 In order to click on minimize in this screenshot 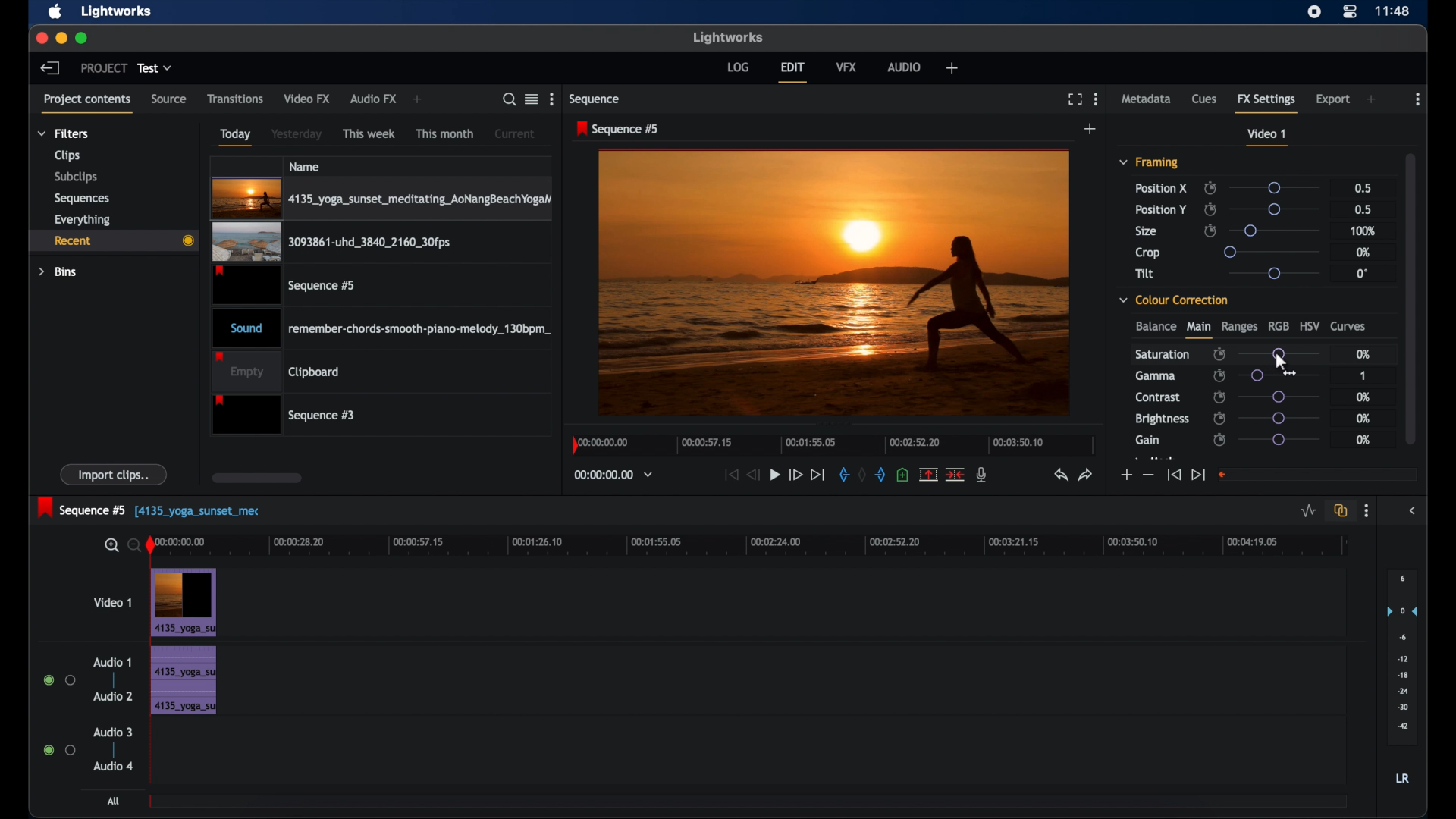, I will do `click(58, 38)`.